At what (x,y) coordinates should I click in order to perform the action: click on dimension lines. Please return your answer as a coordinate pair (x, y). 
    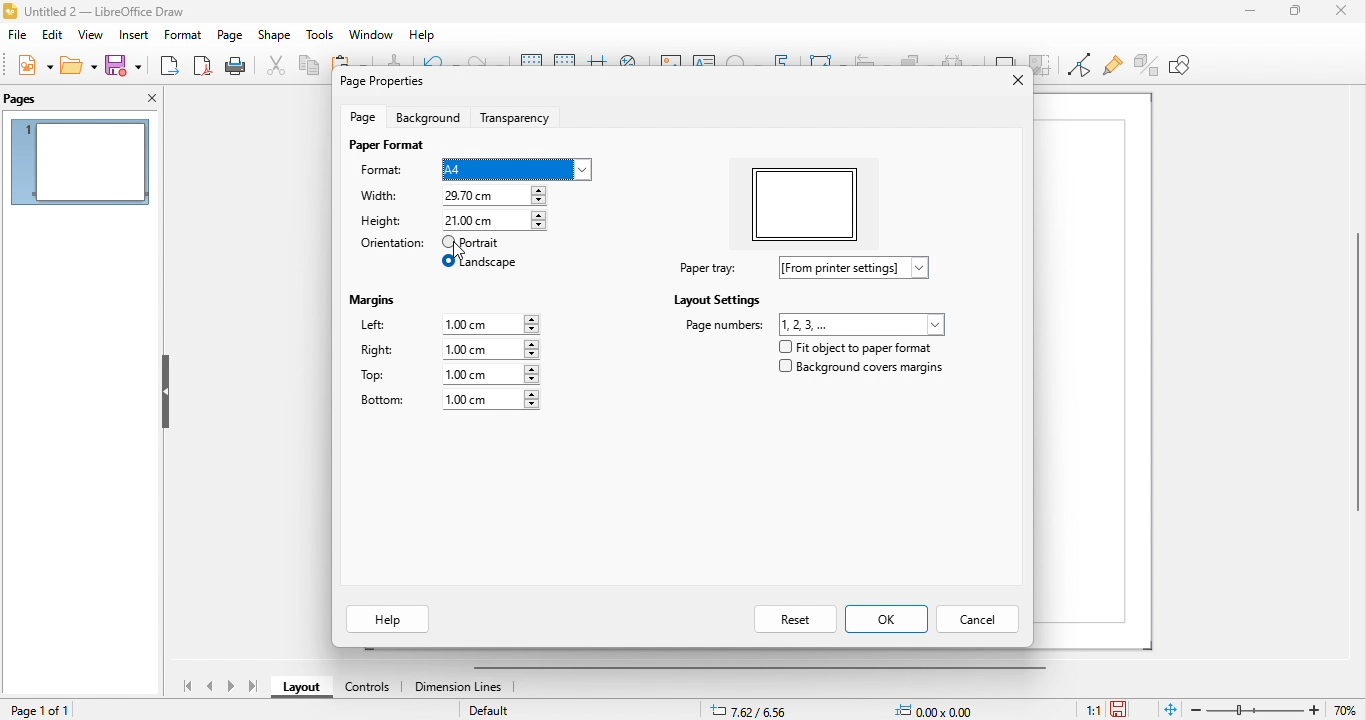
    Looking at the image, I should click on (462, 689).